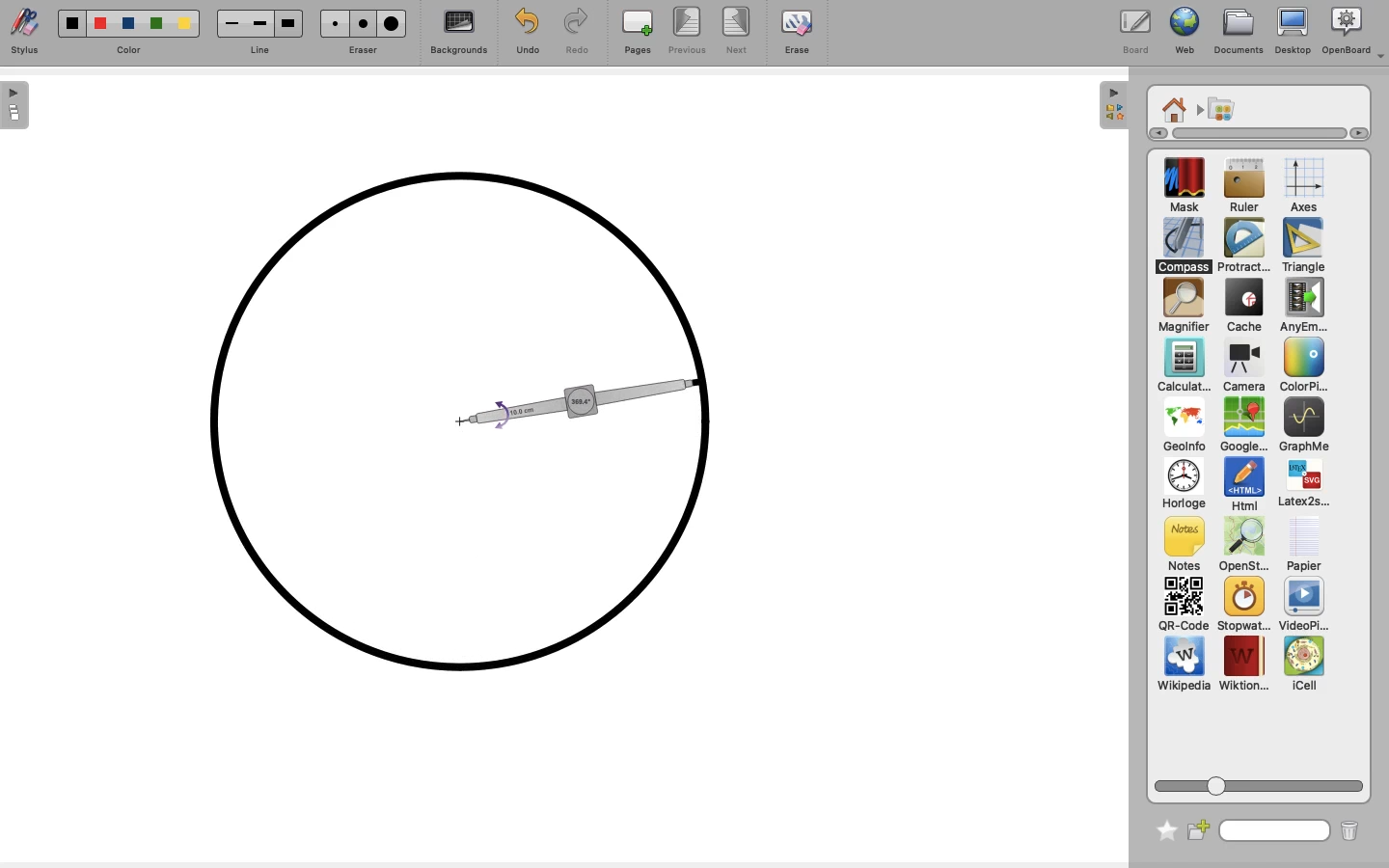 Image resolution: width=1389 pixels, height=868 pixels. What do you see at coordinates (1304, 484) in the screenshot?
I see `Latex2s` at bounding box center [1304, 484].